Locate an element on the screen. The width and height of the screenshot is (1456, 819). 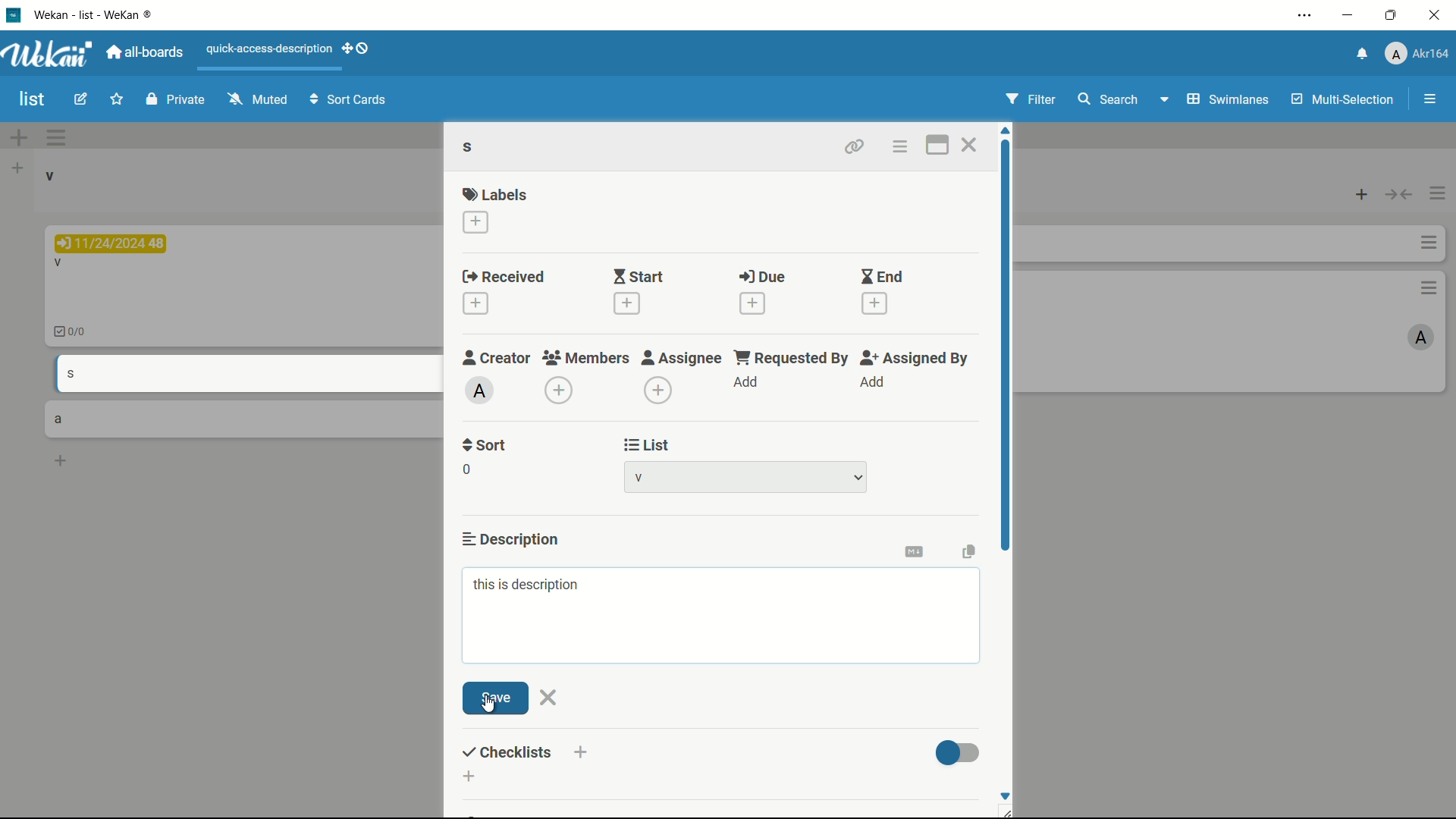
s is located at coordinates (472, 146).